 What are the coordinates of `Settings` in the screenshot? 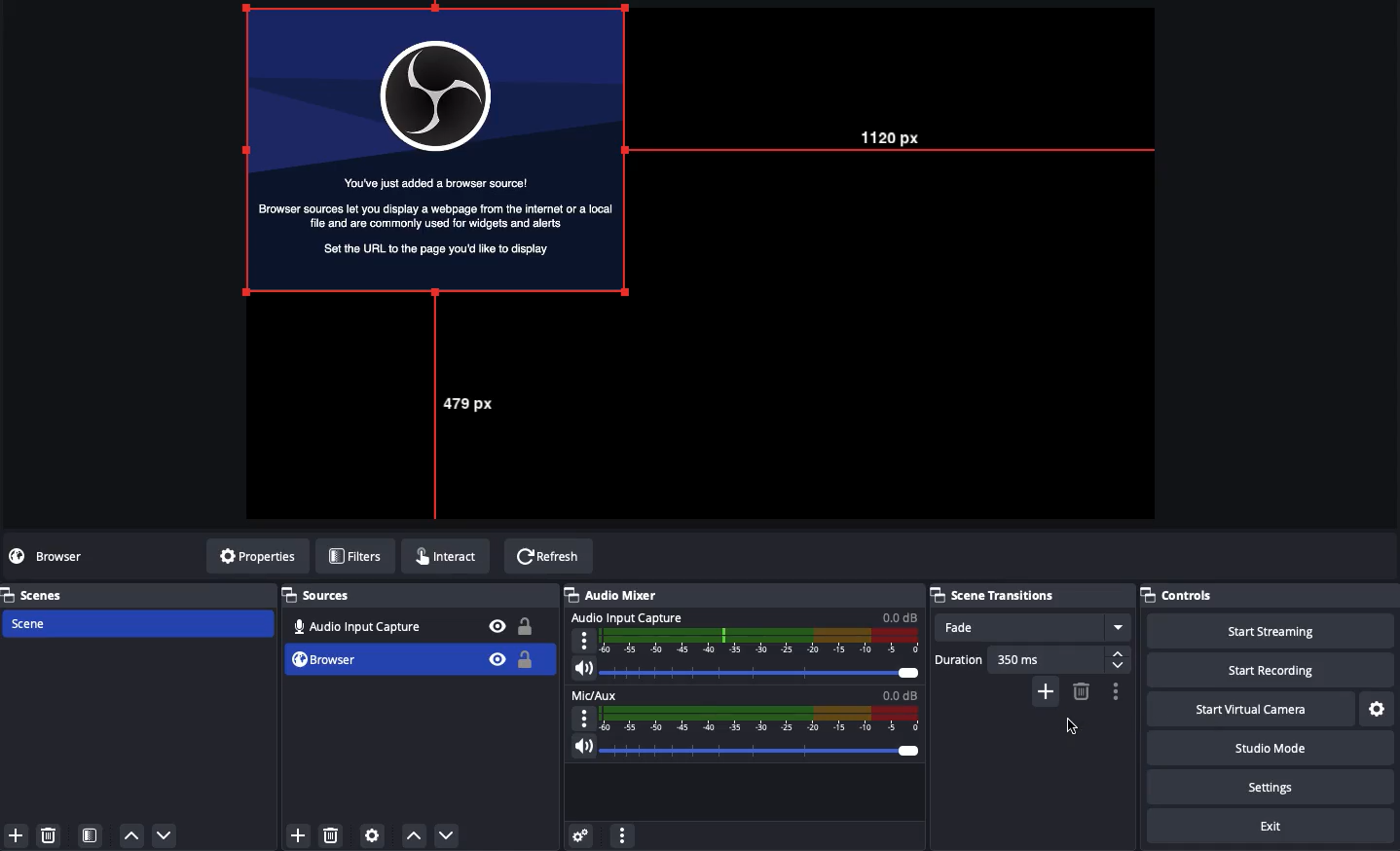 It's located at (1267, 787).